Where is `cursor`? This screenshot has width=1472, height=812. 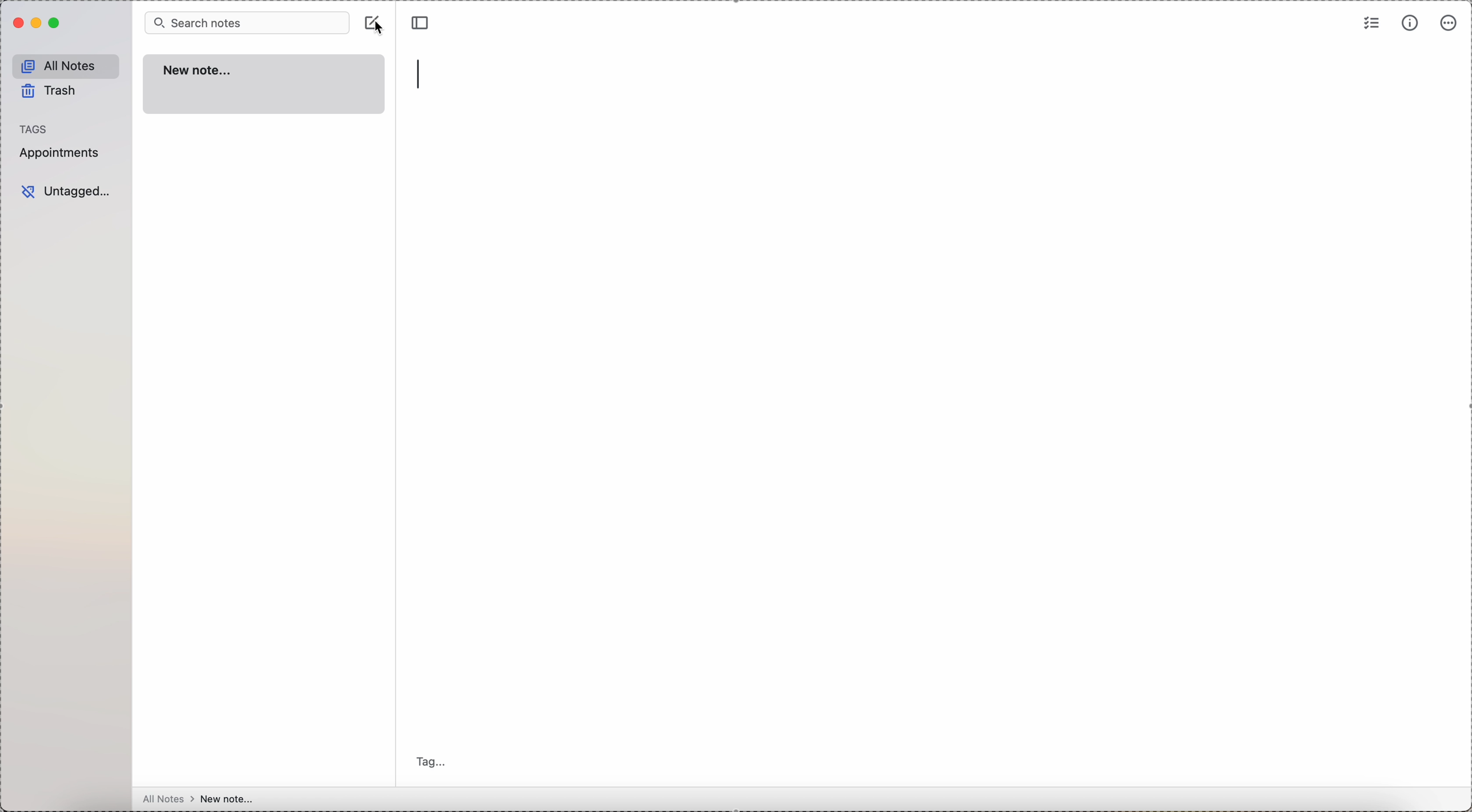 cursor is located at coordinates (386, 30).